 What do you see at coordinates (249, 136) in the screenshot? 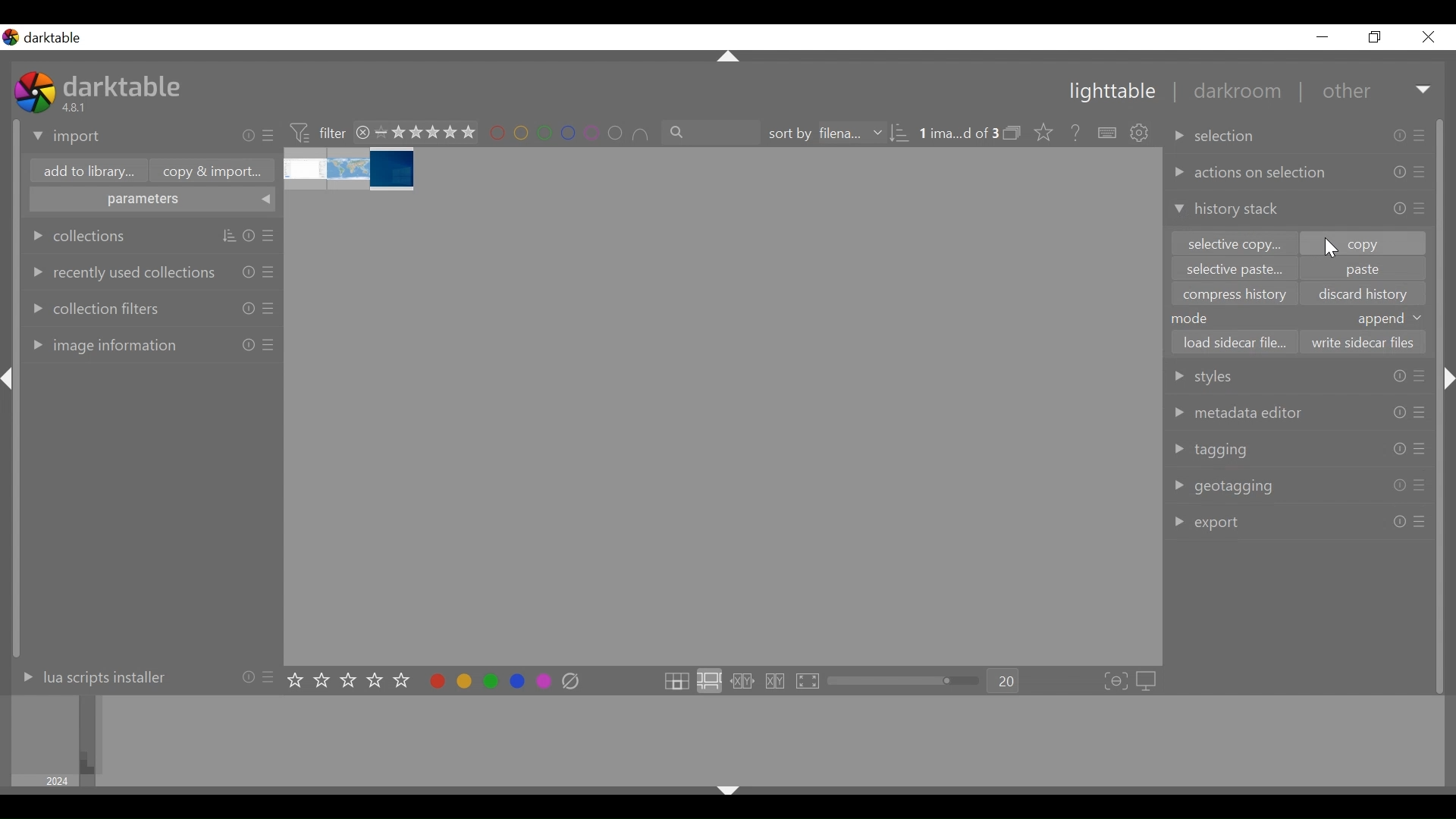
I see `info` at bounding box center [249, 136].